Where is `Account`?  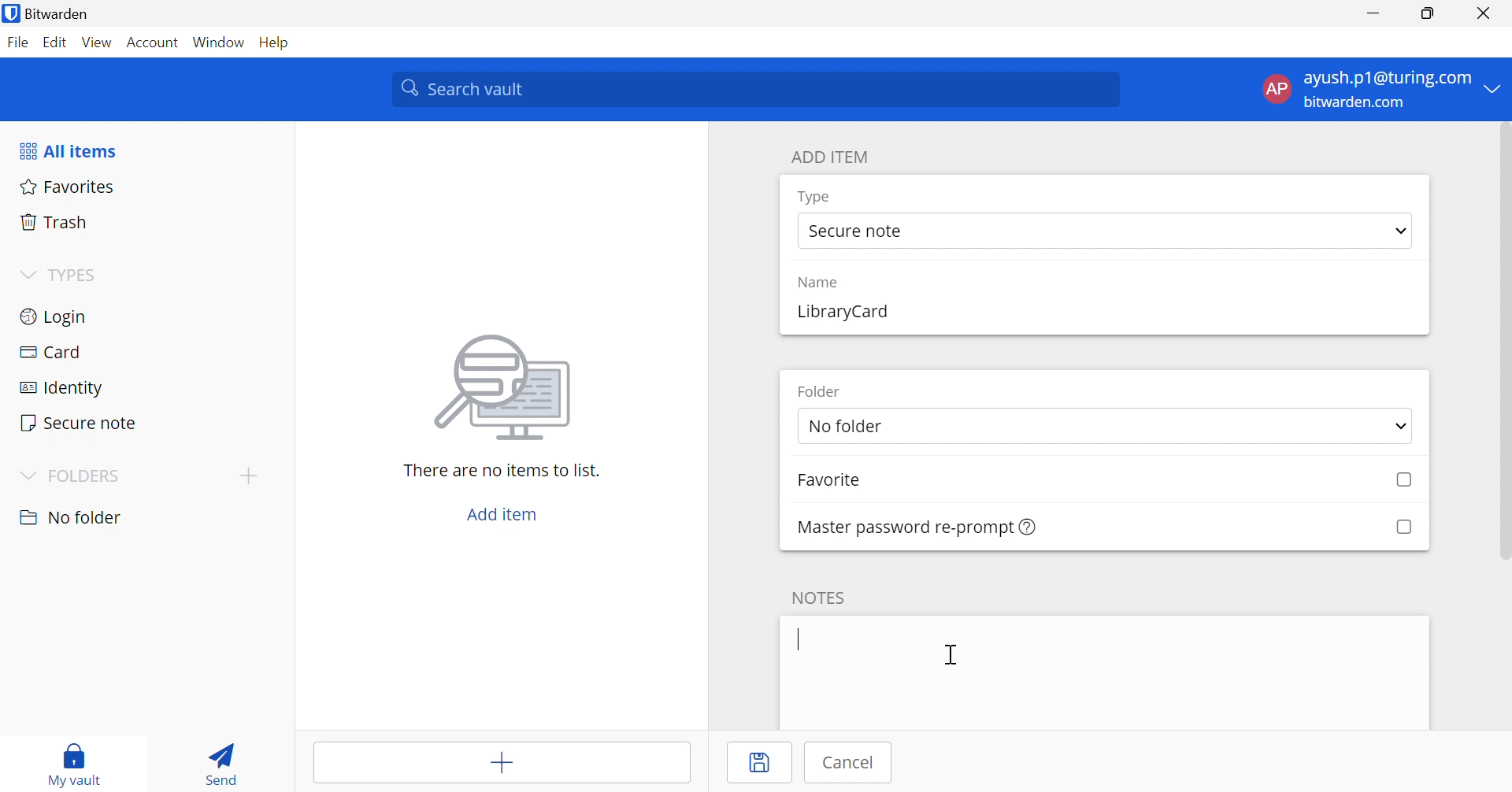
Account is located at coordinates (154, 41).